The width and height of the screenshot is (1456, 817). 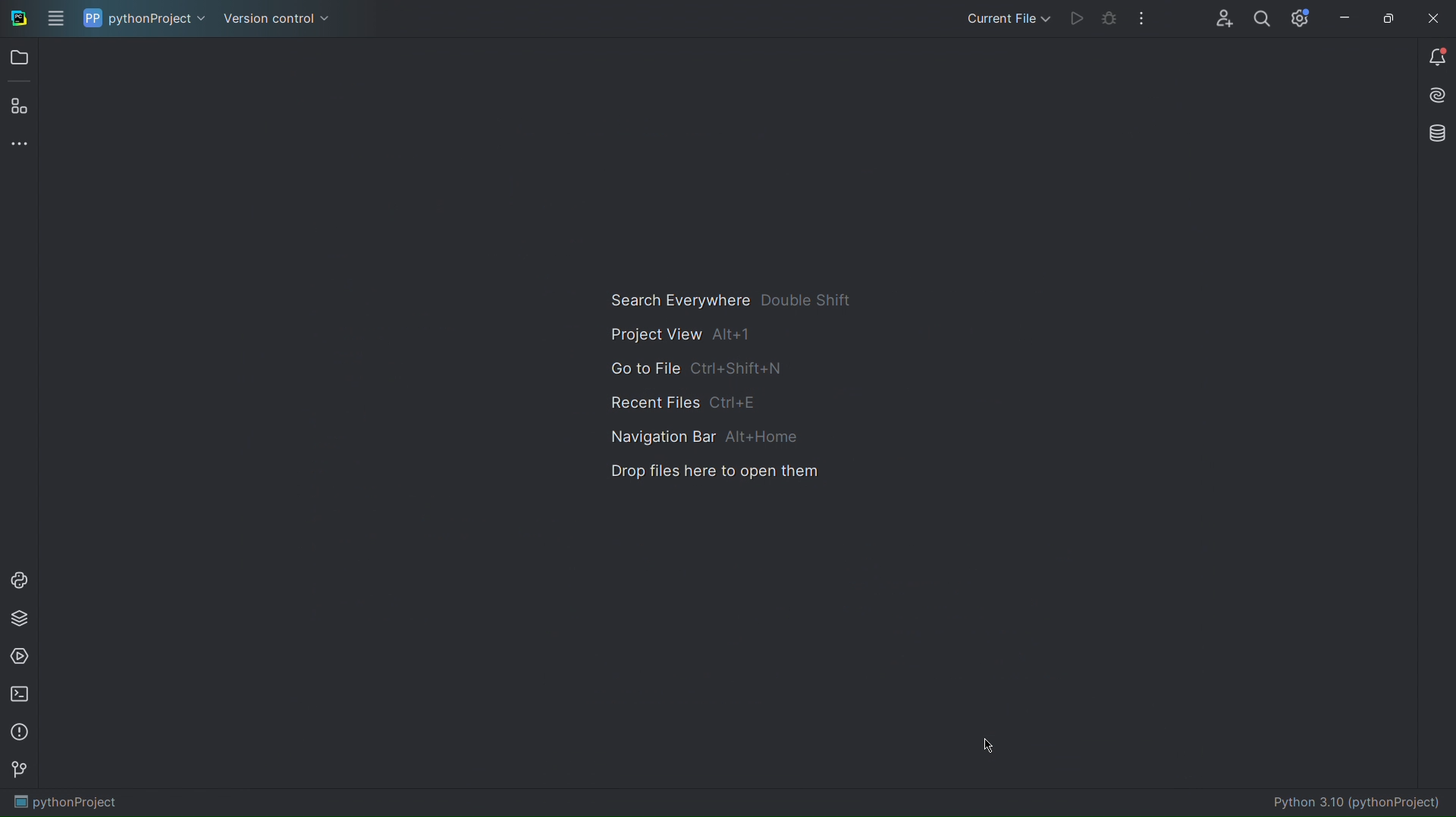 I want to click on Database, so click(x=1439, y=135).